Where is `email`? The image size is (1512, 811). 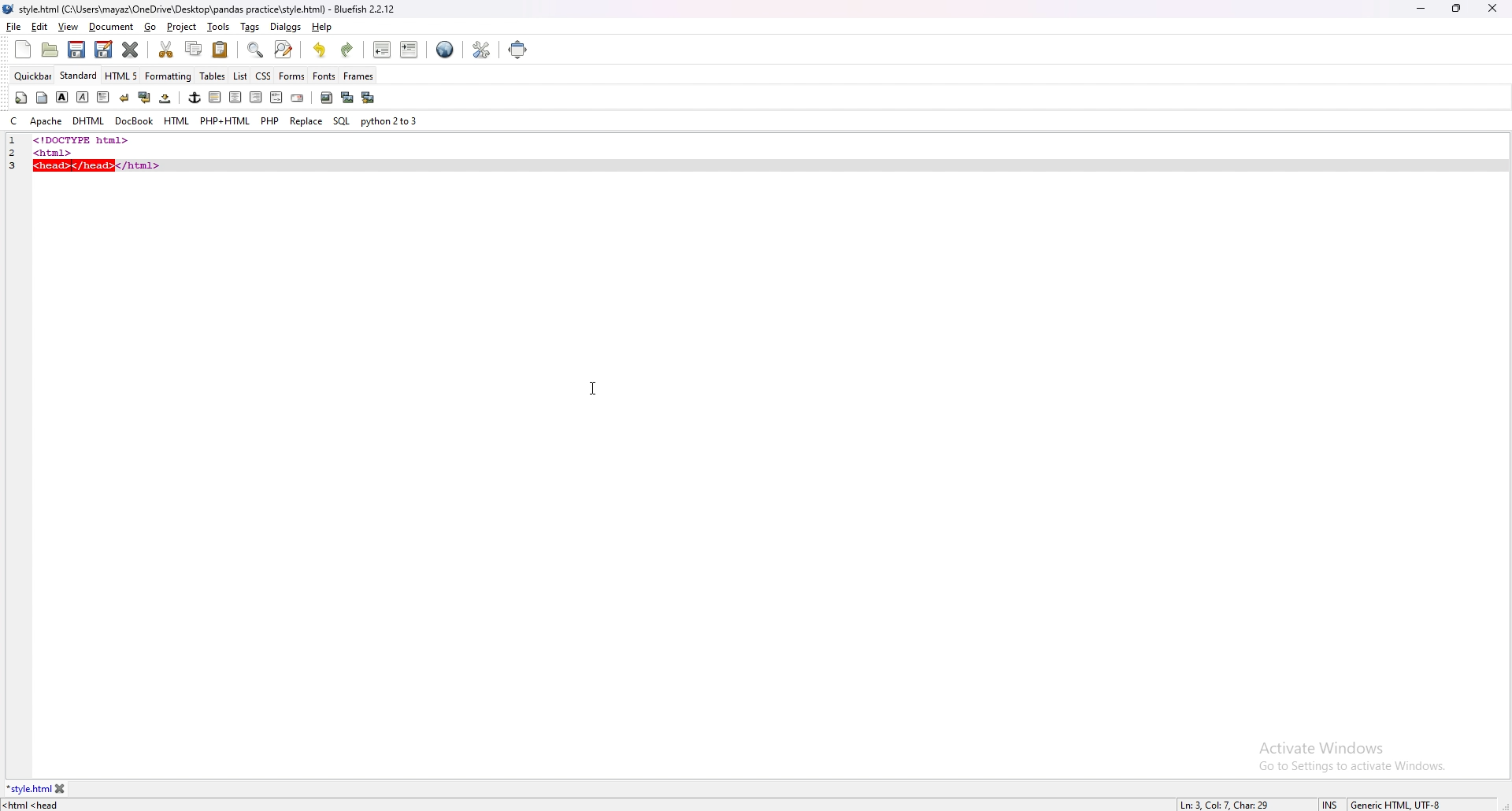
email is located at coordinates (297, 98).